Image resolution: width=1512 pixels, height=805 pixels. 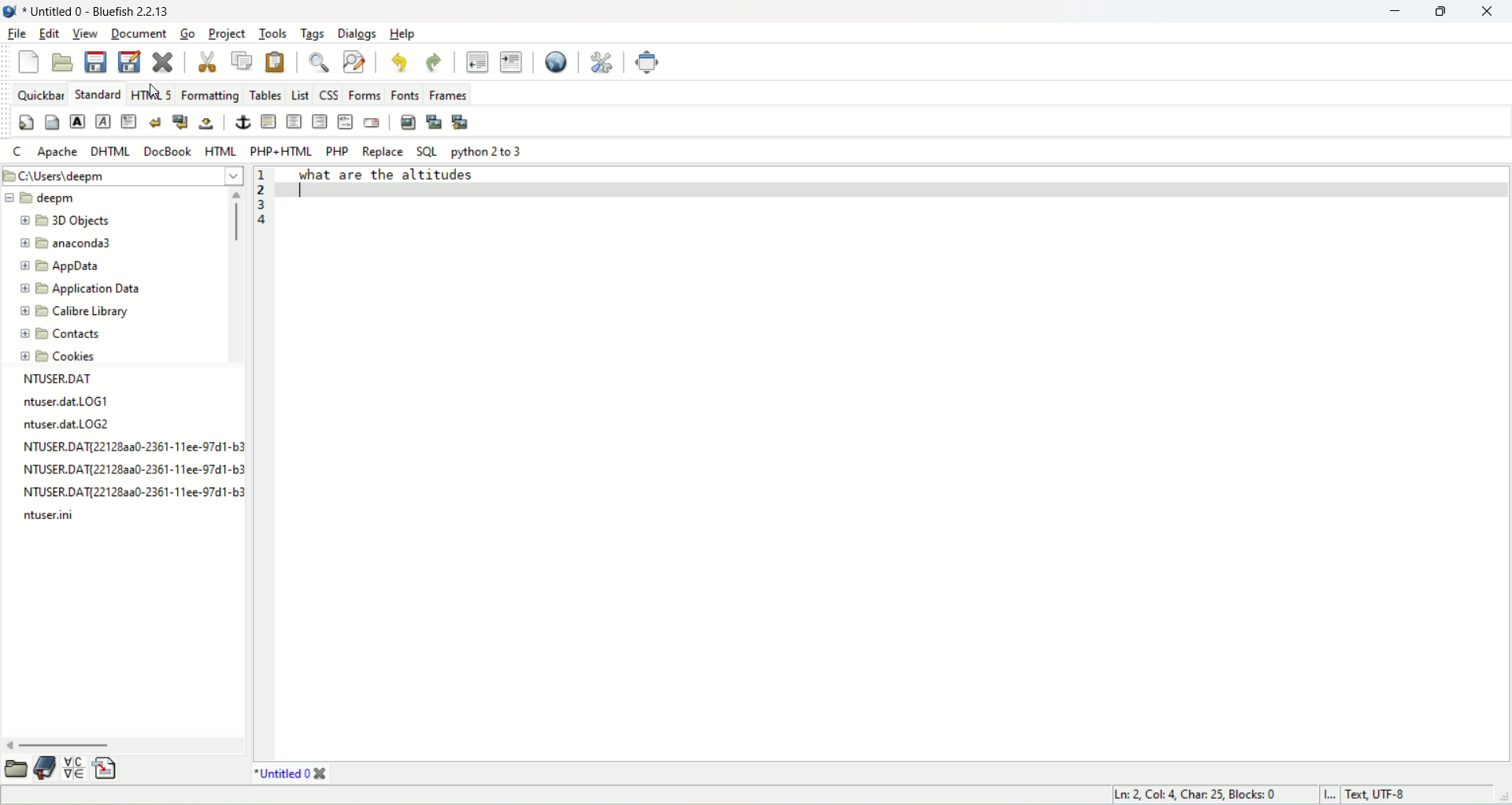 I want to click on DHTML, so click(x=109, y=150).